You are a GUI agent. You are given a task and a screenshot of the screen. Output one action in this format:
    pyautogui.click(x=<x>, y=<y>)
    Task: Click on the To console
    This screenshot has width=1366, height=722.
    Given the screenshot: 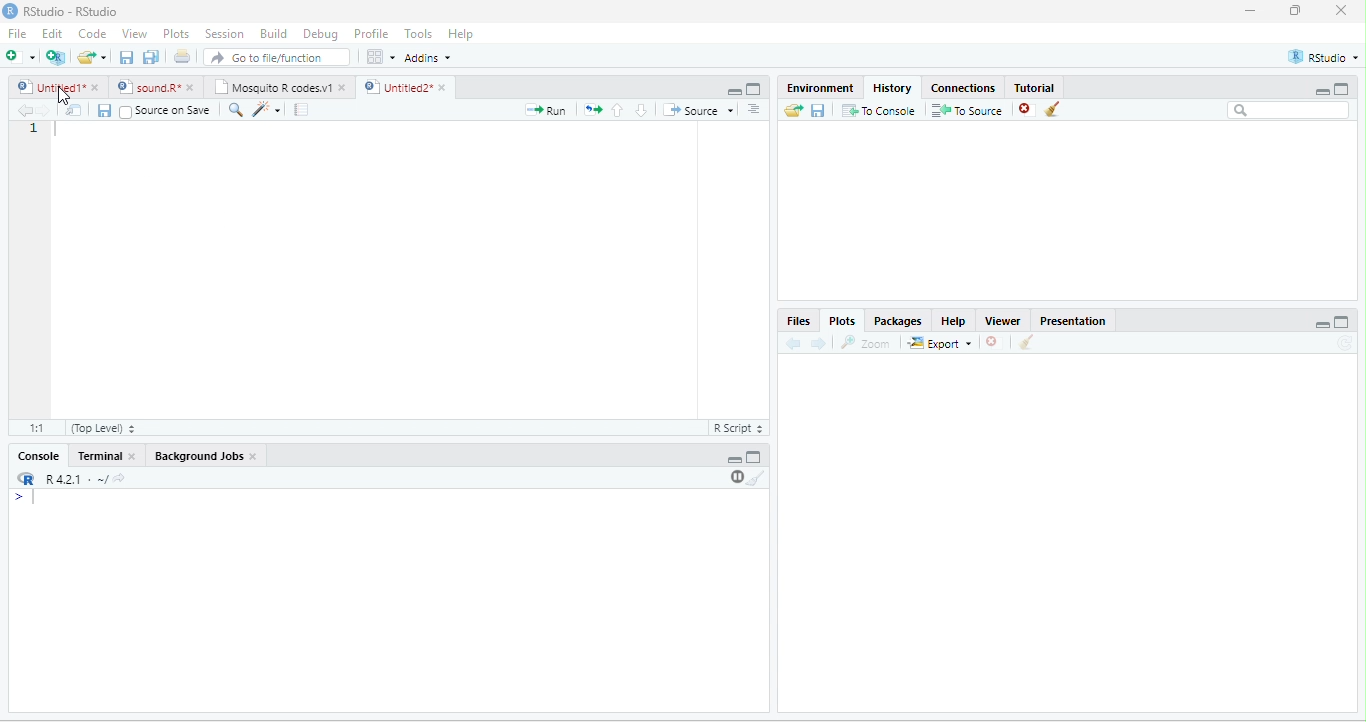 What is the action you would take?
    pyautogui.click(x=879, y=110)
    